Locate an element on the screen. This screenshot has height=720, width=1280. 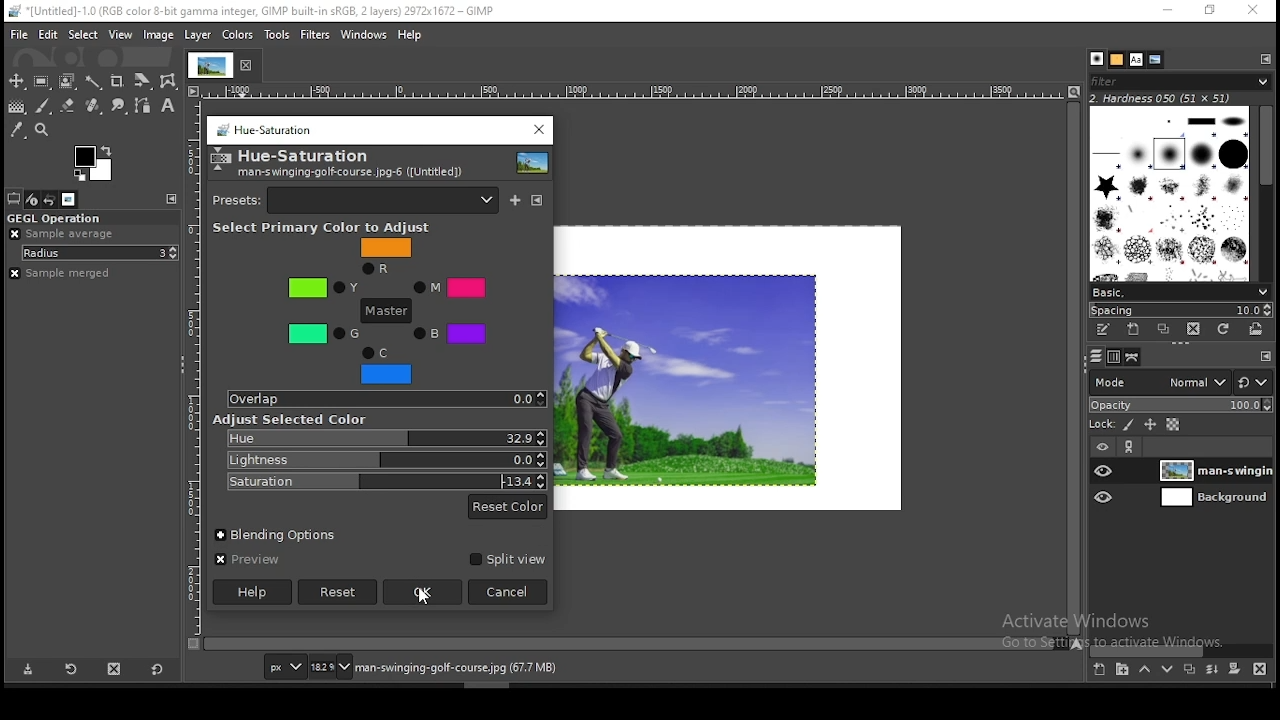
blend mode is located at coordinates (1181, 382).